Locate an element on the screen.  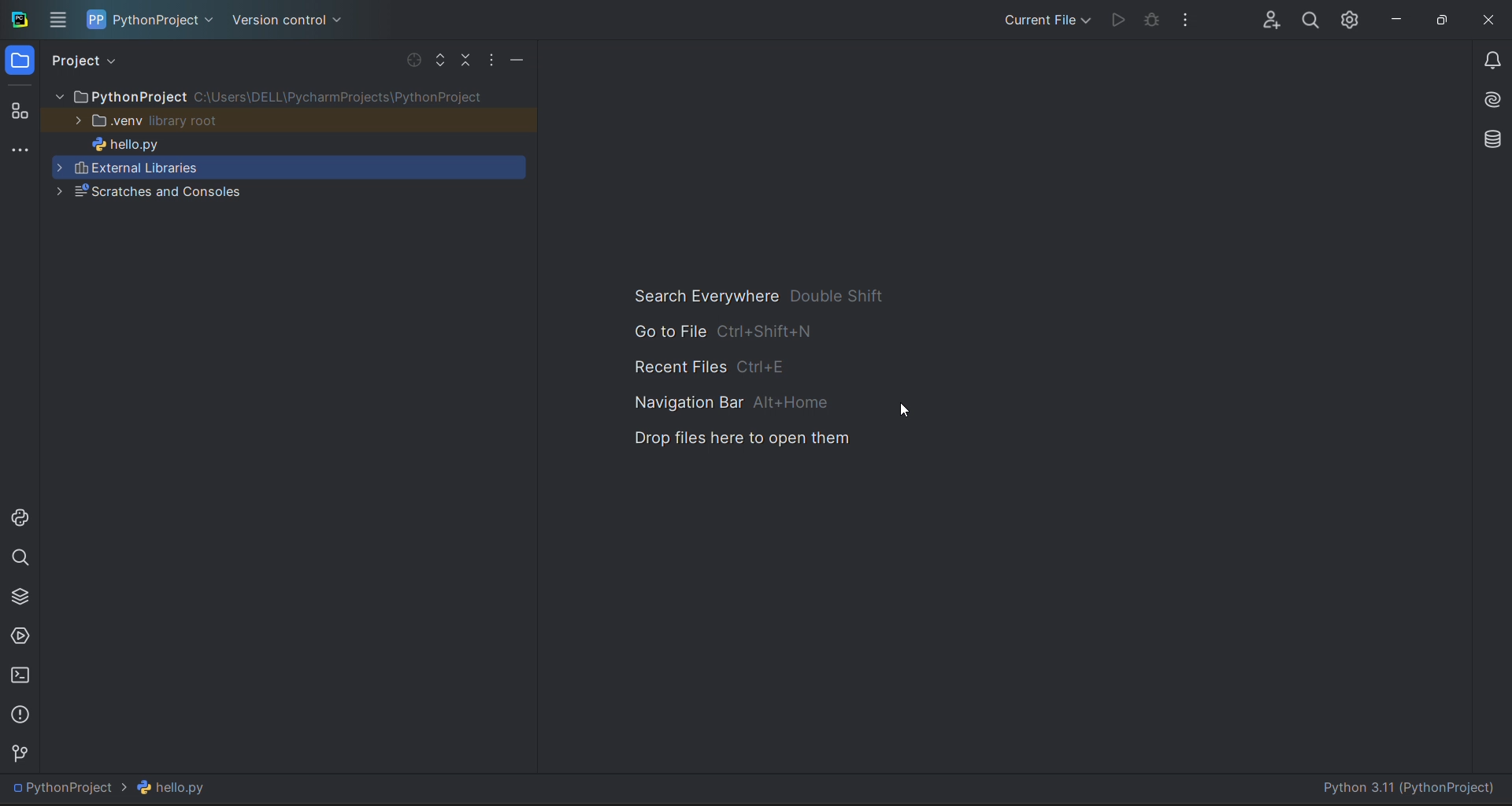
python packages is located at coordinates (19, 597).